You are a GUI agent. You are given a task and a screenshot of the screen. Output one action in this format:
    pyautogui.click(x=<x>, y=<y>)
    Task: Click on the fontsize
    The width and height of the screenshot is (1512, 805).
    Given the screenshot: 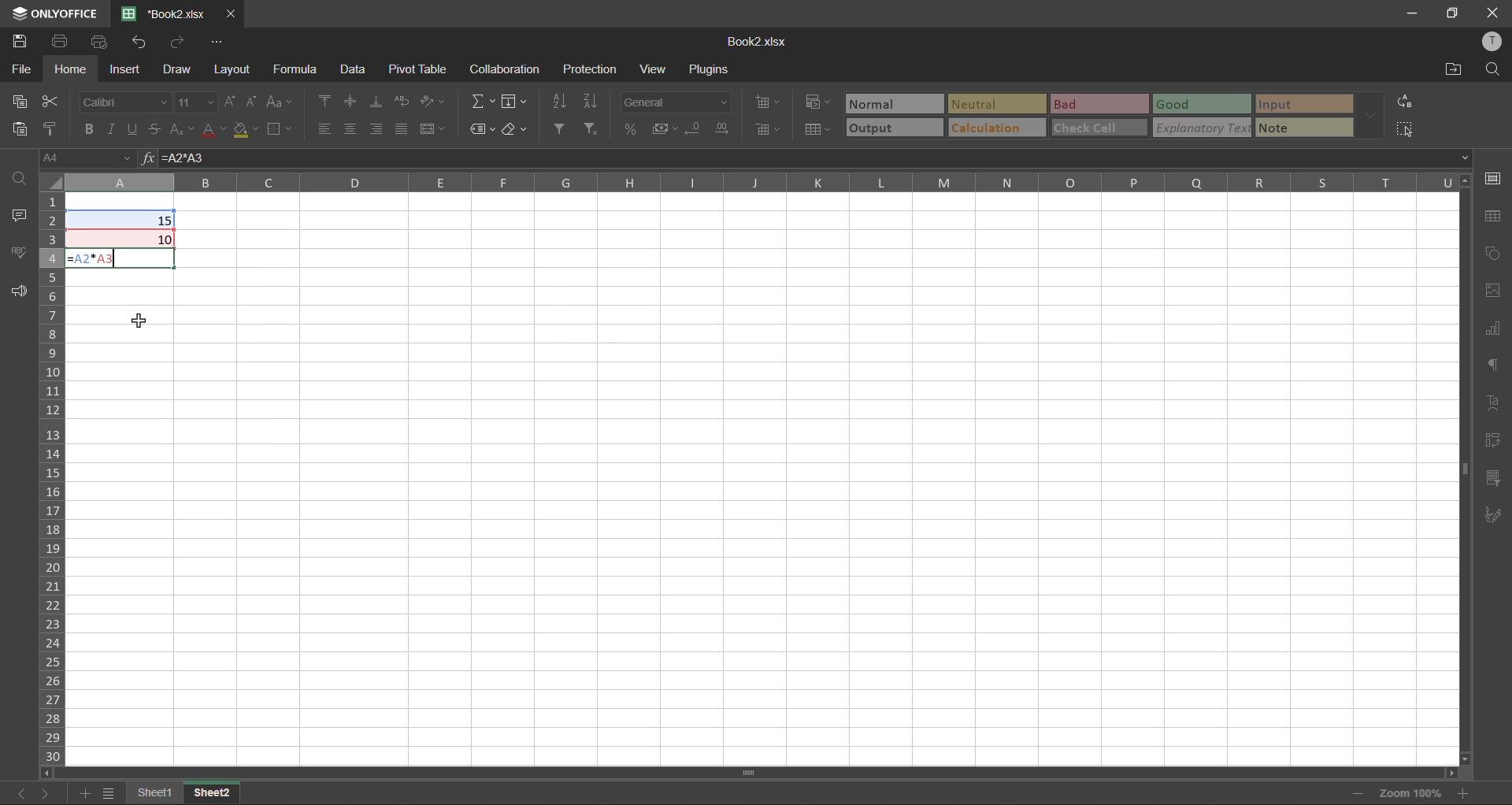 What is the action you would take?
    pyautogui.click(x=195, y=102)
    